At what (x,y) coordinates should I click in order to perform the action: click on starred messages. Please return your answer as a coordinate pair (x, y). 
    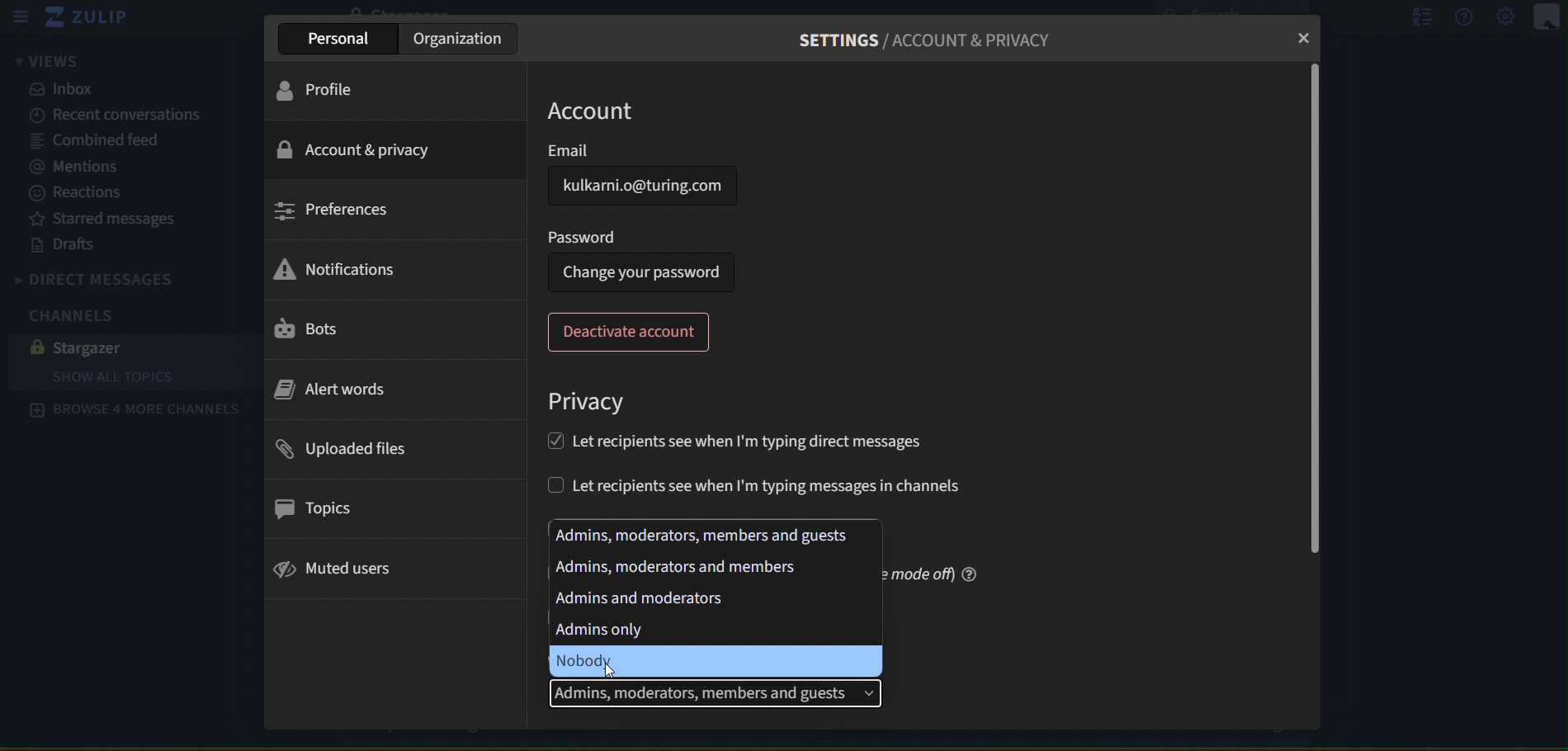
    Looking at the image, I should click on (102, 217).